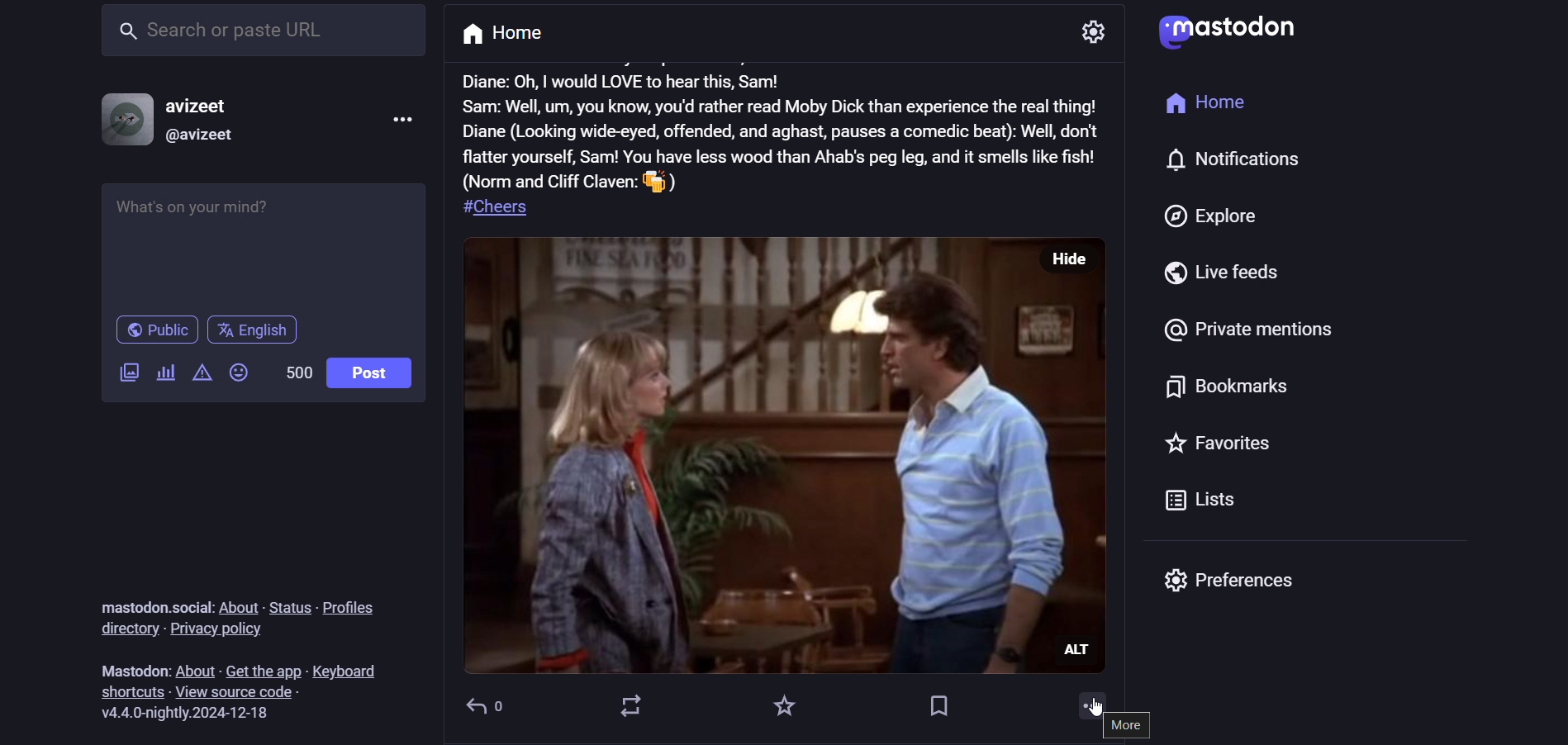 The width and height of the screenshot is (1568, 745). Describe the element at coordinates (295, 370) in the screenshot. I see `word limit` at that location.